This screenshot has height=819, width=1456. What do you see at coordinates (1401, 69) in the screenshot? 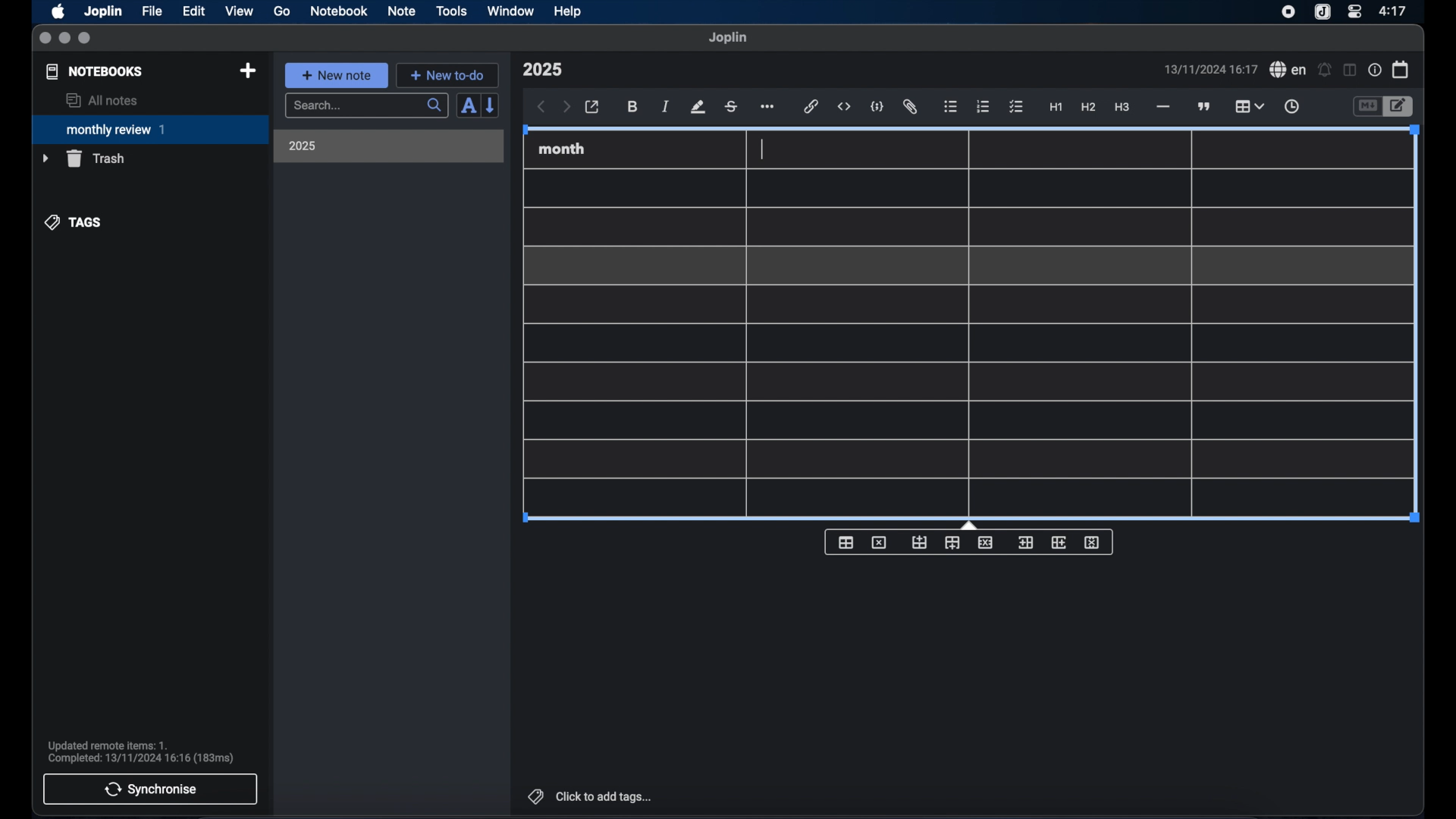
I see `calendar` at bounding box center [1401, 69].